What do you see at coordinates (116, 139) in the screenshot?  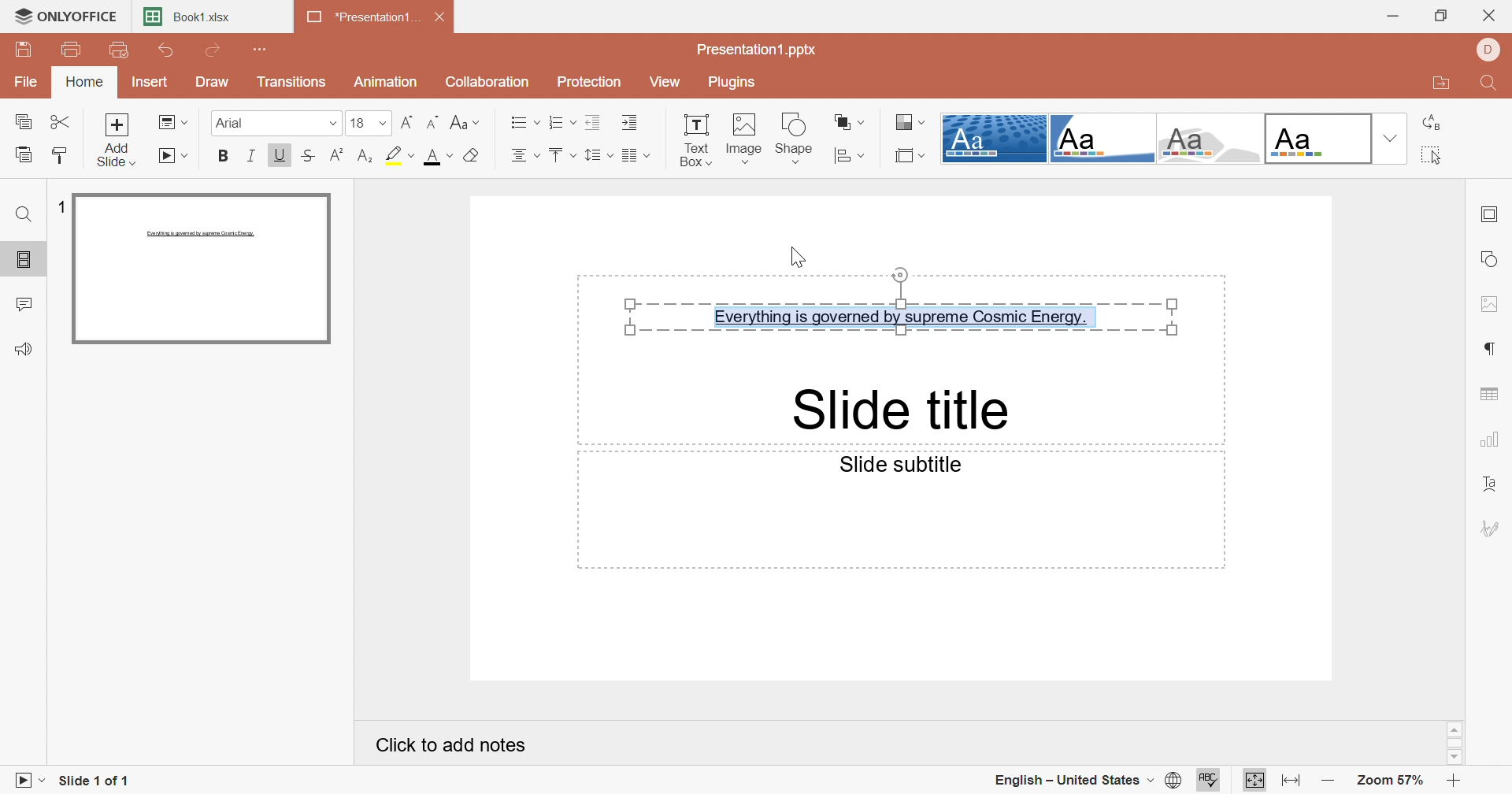 I see `Add slide` at bounding box center [116, 139].